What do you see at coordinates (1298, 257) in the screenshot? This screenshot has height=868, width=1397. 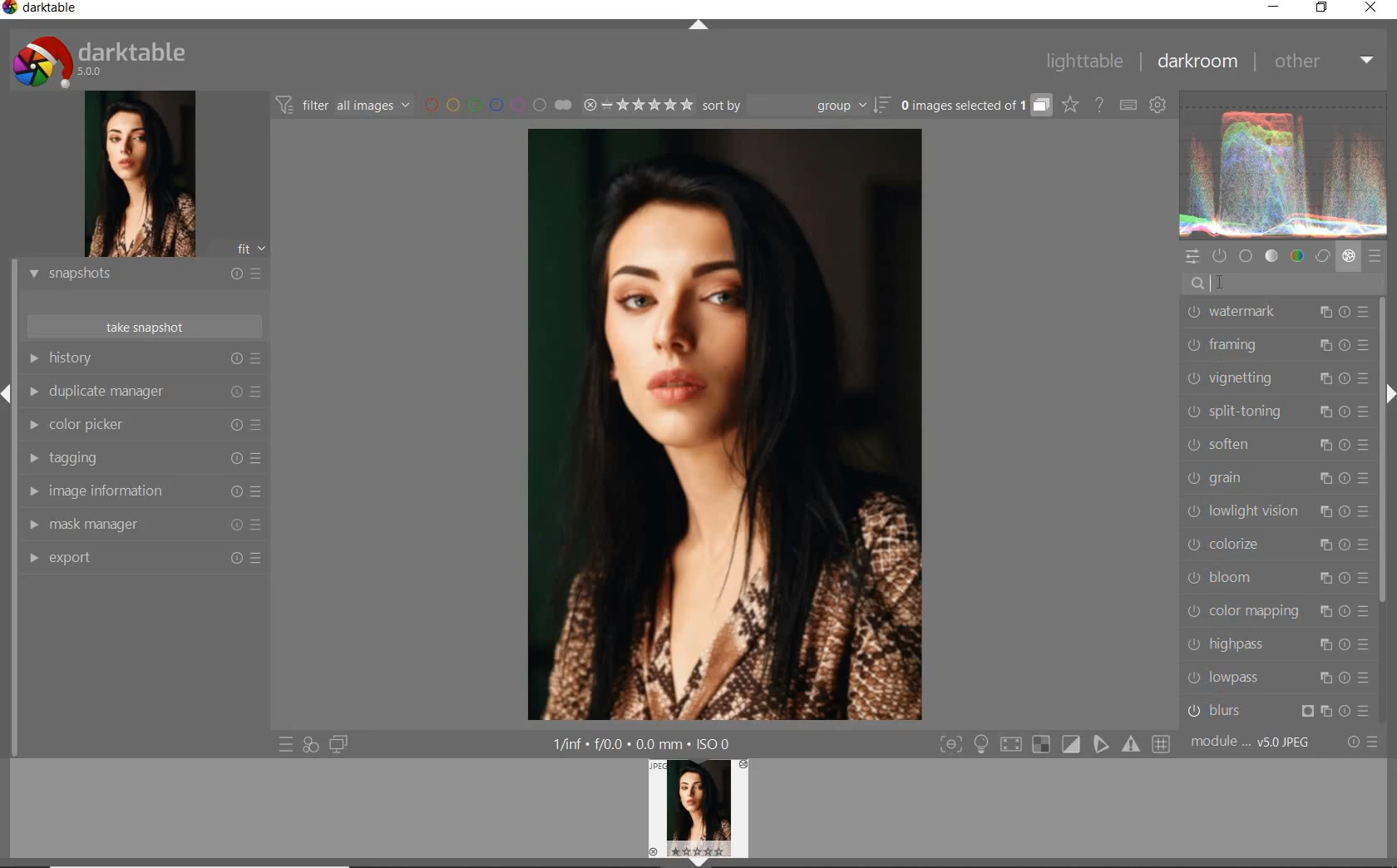 I see `color` at bounding box center [1298, 257].